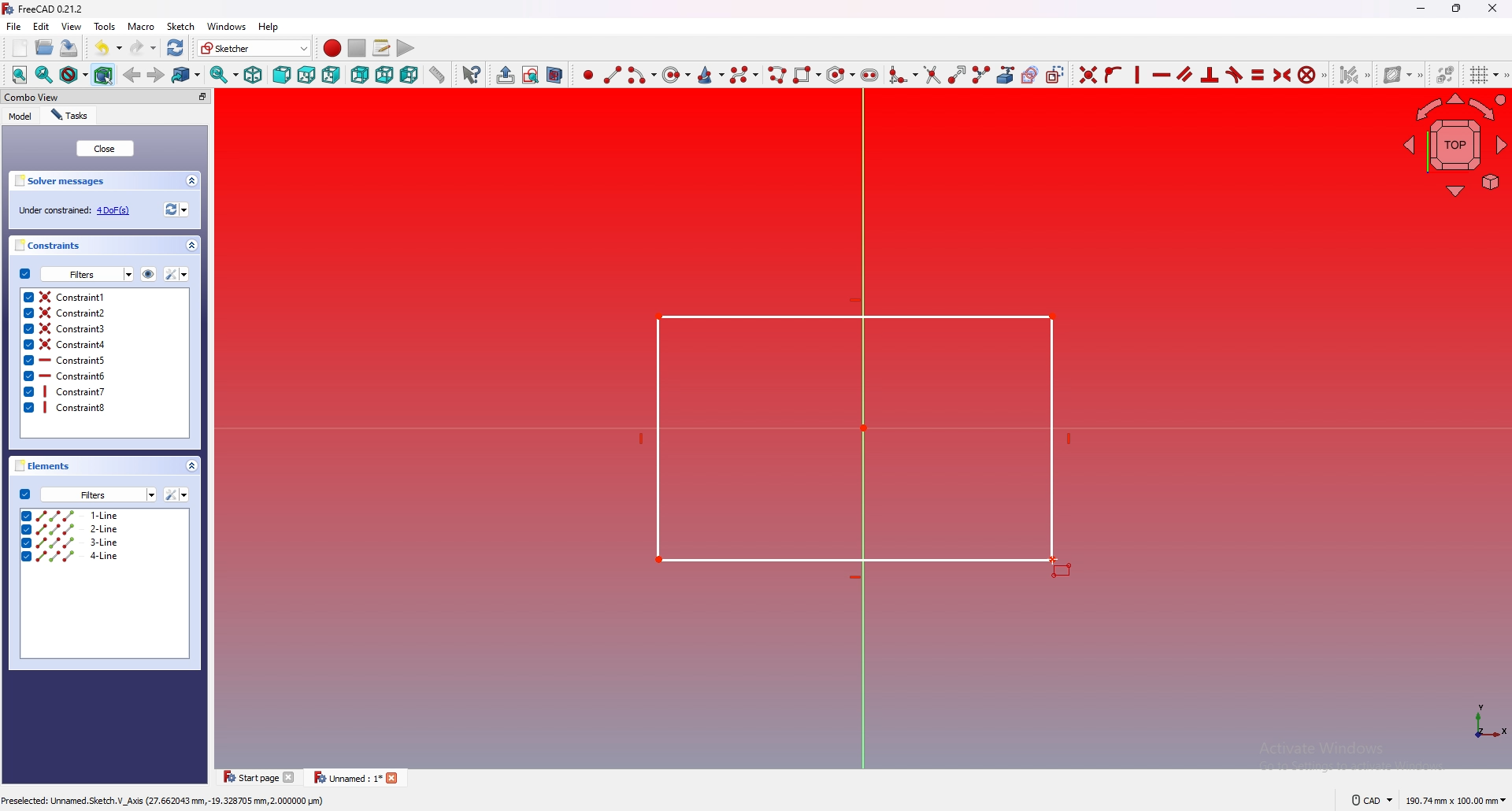 The height and width of the screenshot is (811, 1512). Describe the element at coordinates (165, 799) in the screenshot. I see `description` at that location.